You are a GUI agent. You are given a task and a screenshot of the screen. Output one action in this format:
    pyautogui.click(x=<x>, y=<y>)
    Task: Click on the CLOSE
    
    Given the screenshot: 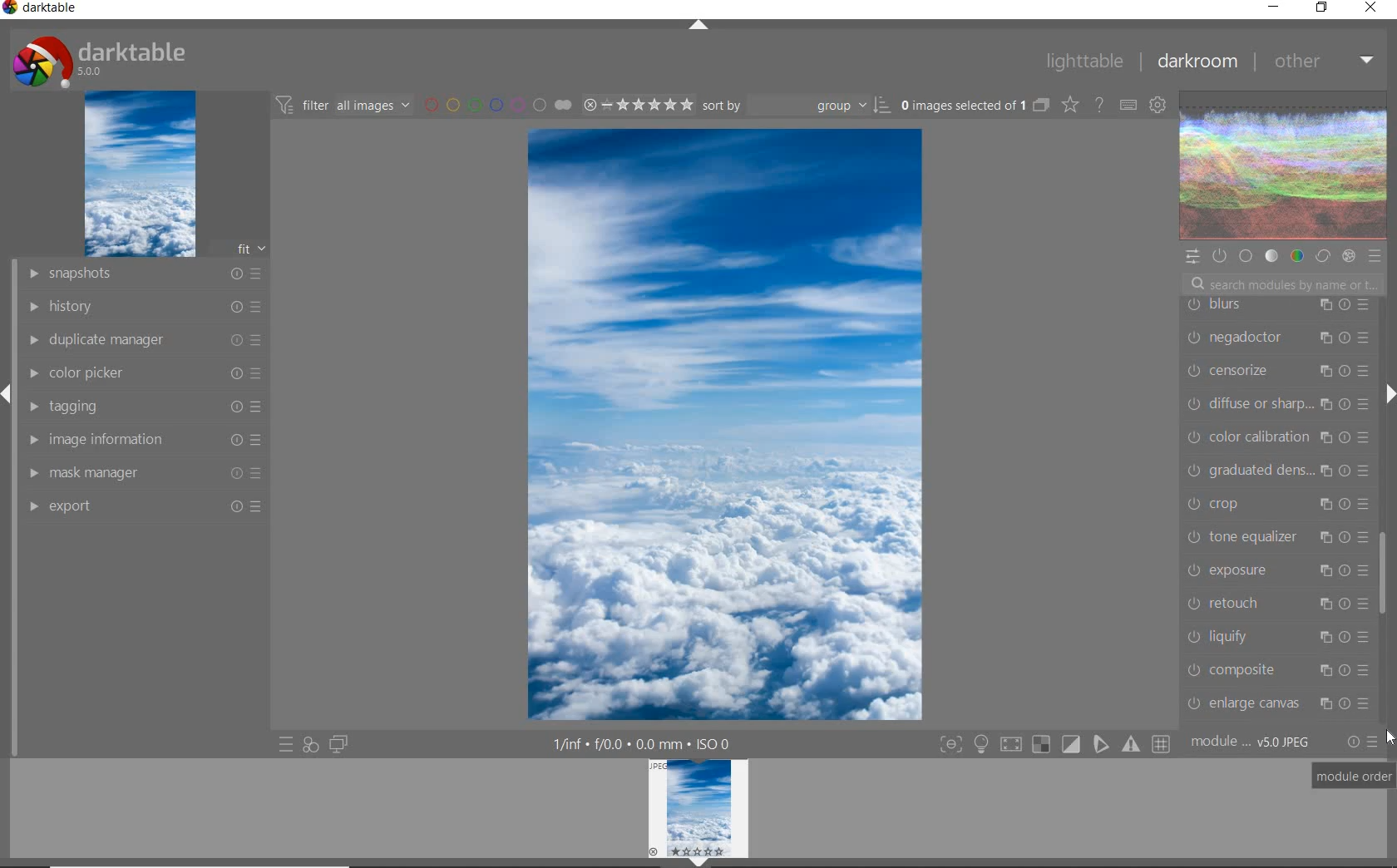 What is the action you would take?
    pyautogui.click(x=1371, y=8)
    